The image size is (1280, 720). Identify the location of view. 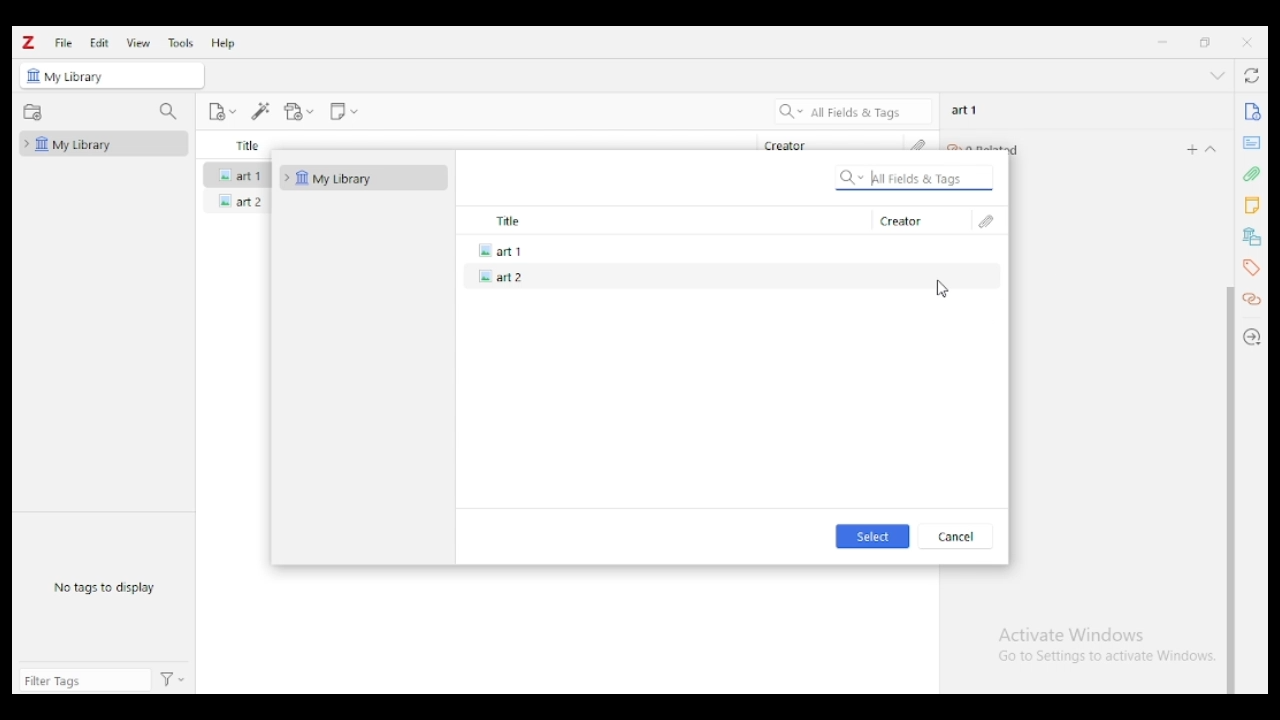
(139, 43).